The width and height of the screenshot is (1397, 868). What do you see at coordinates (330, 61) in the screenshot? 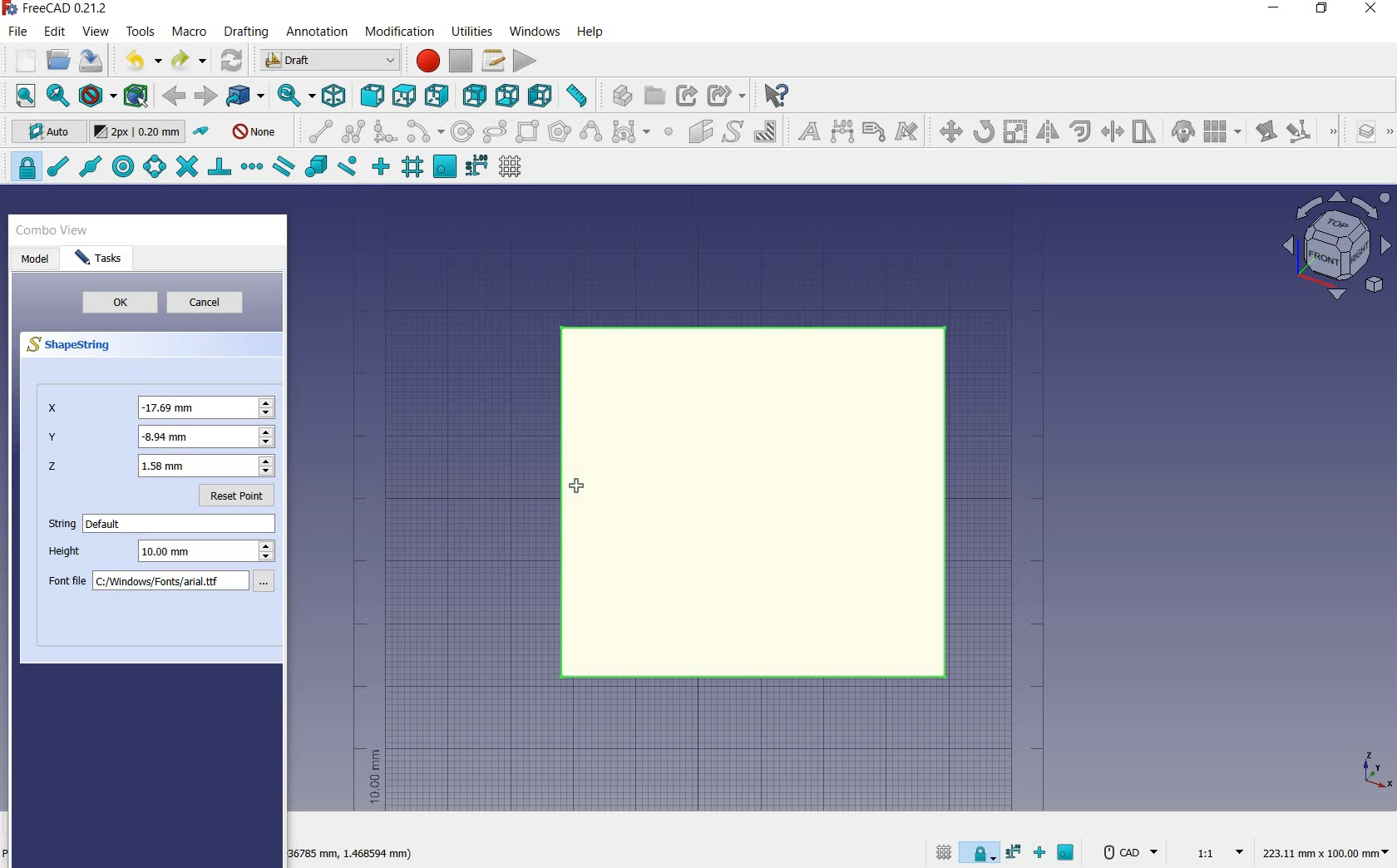
I see `switch between workbenches` at bounding box center [330, 61].